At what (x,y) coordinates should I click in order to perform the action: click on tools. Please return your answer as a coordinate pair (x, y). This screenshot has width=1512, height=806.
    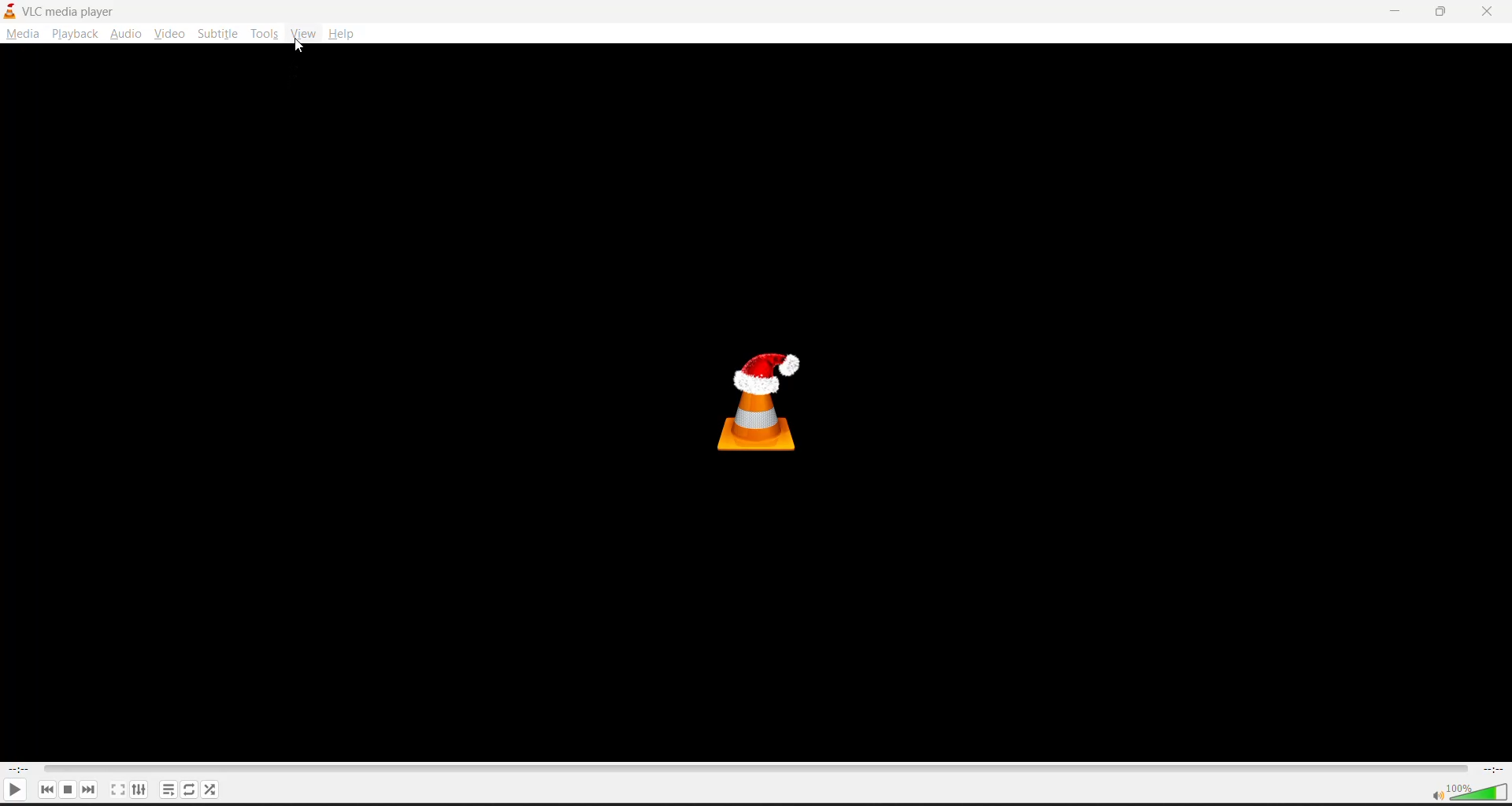
    Looking at the image, I should click on (265, 35).